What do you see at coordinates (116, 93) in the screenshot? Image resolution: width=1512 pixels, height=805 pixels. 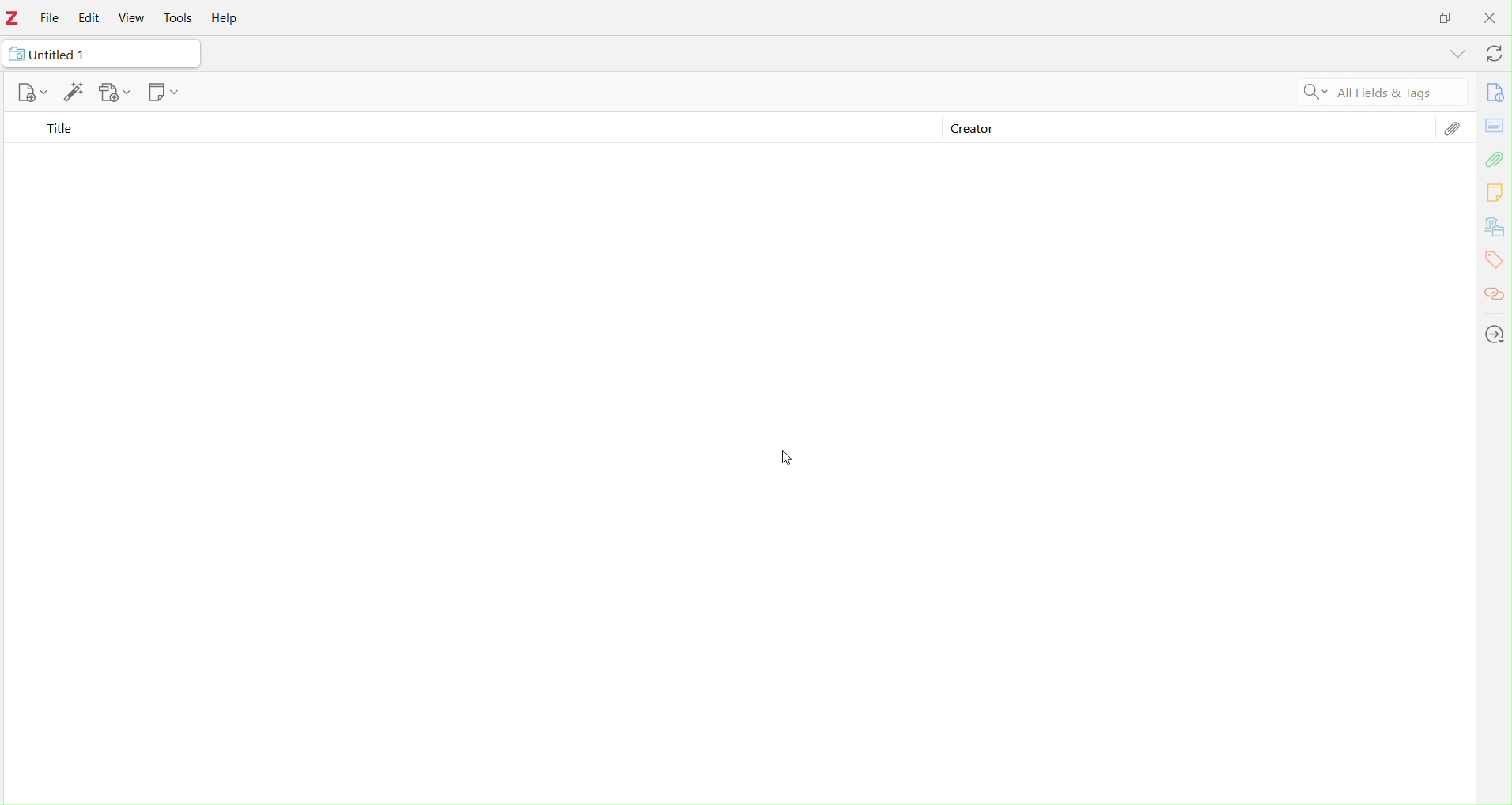 I see `Save` at bounding box center [116, 93].